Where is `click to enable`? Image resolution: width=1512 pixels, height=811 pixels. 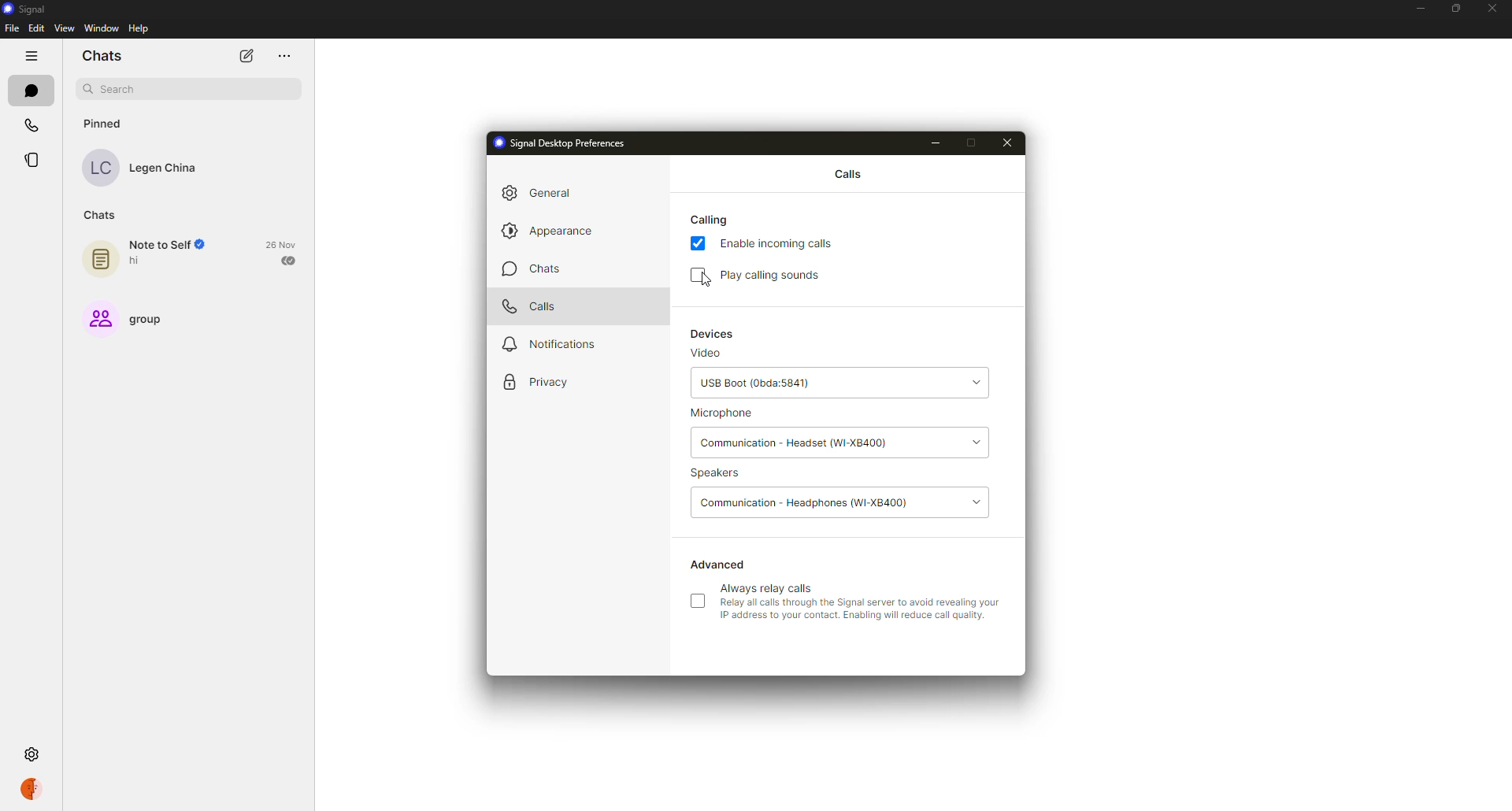
click to enable is located at coordinates (698, 601).